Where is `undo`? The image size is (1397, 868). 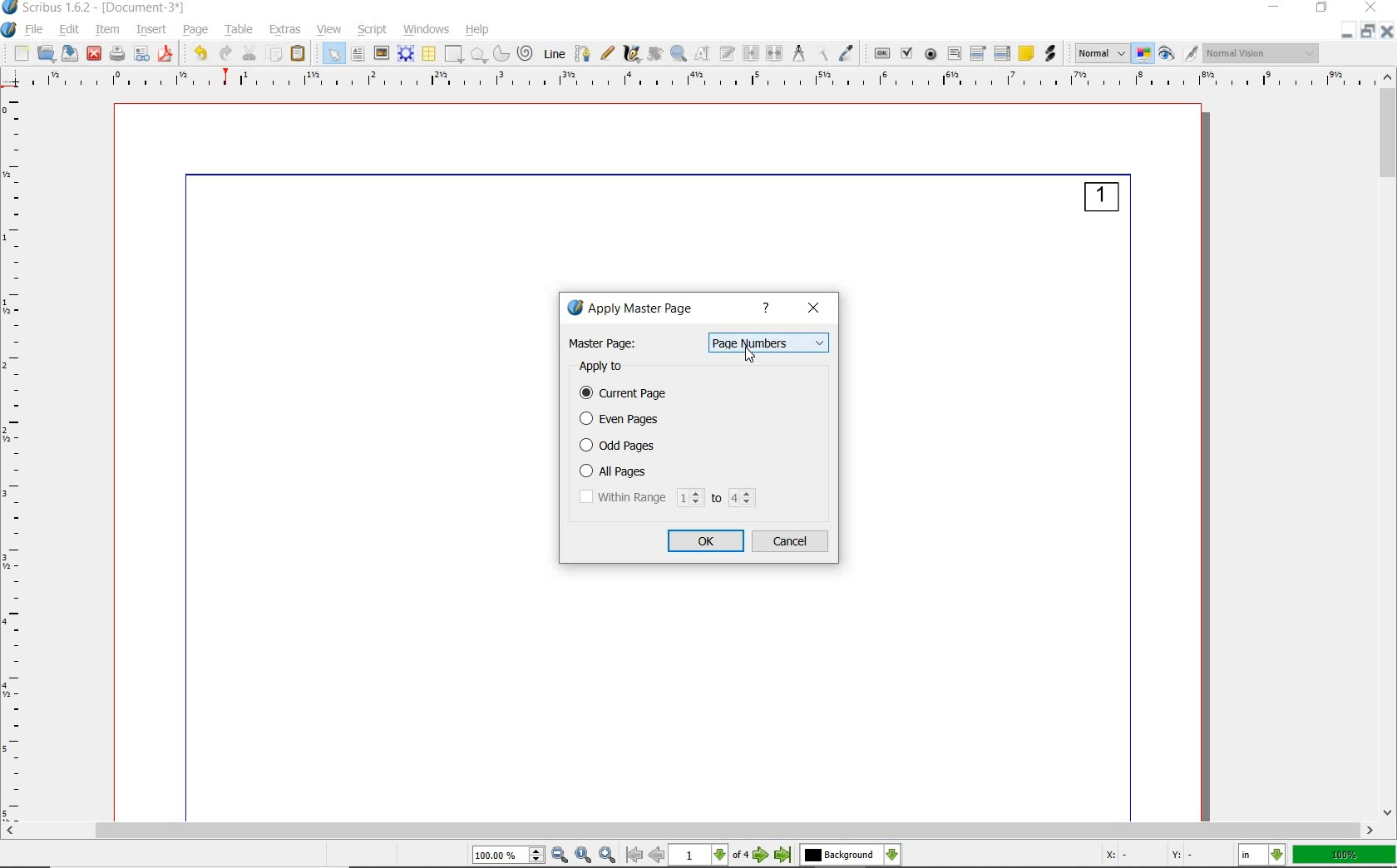 undo is located at coordinates (200, 54).